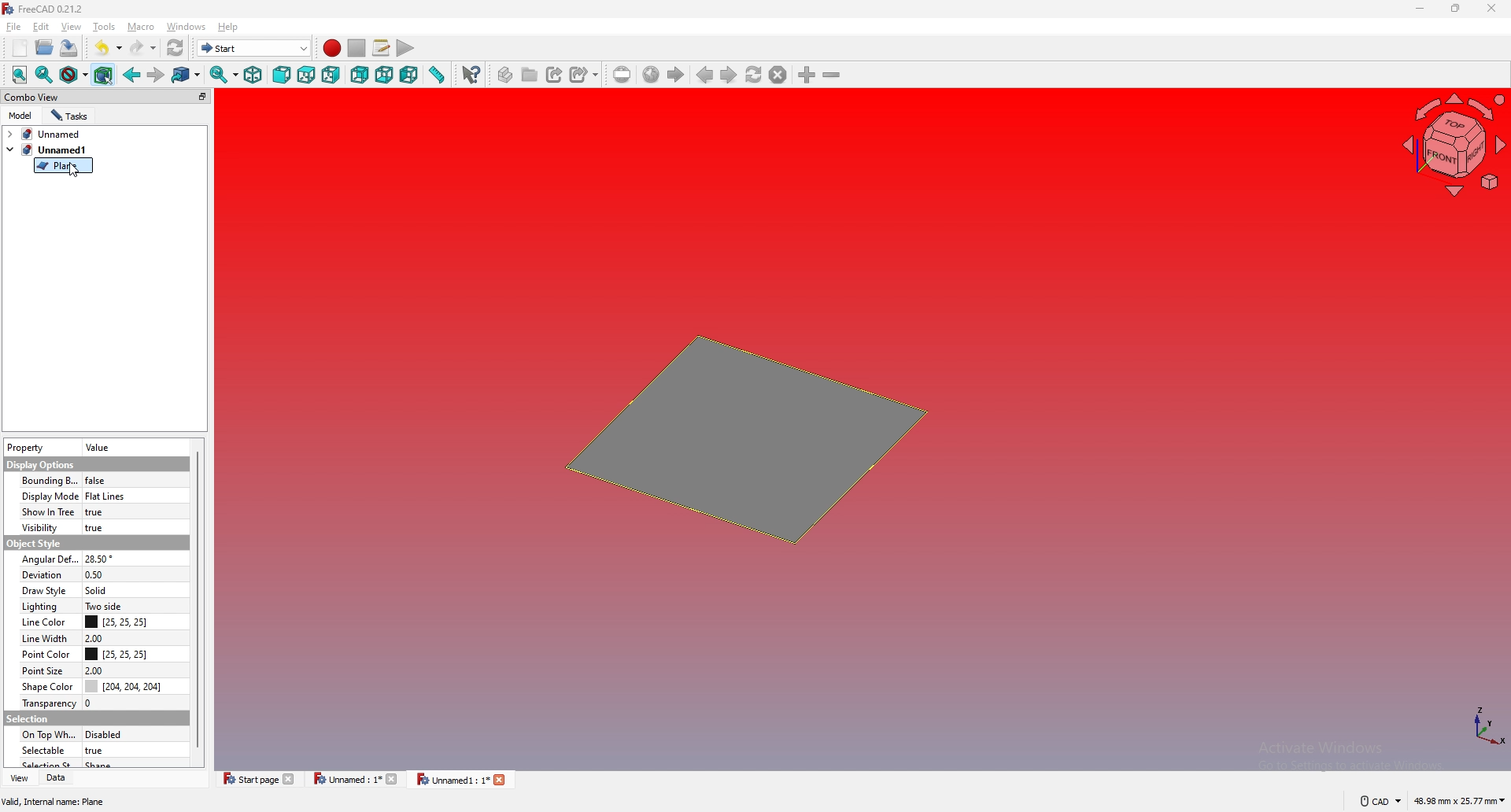 This screenshot has width=1511, height=812. What do you see at coordinates (47, 762) in the screenshot?
I see `selection style` at bounding box center [47, 762].